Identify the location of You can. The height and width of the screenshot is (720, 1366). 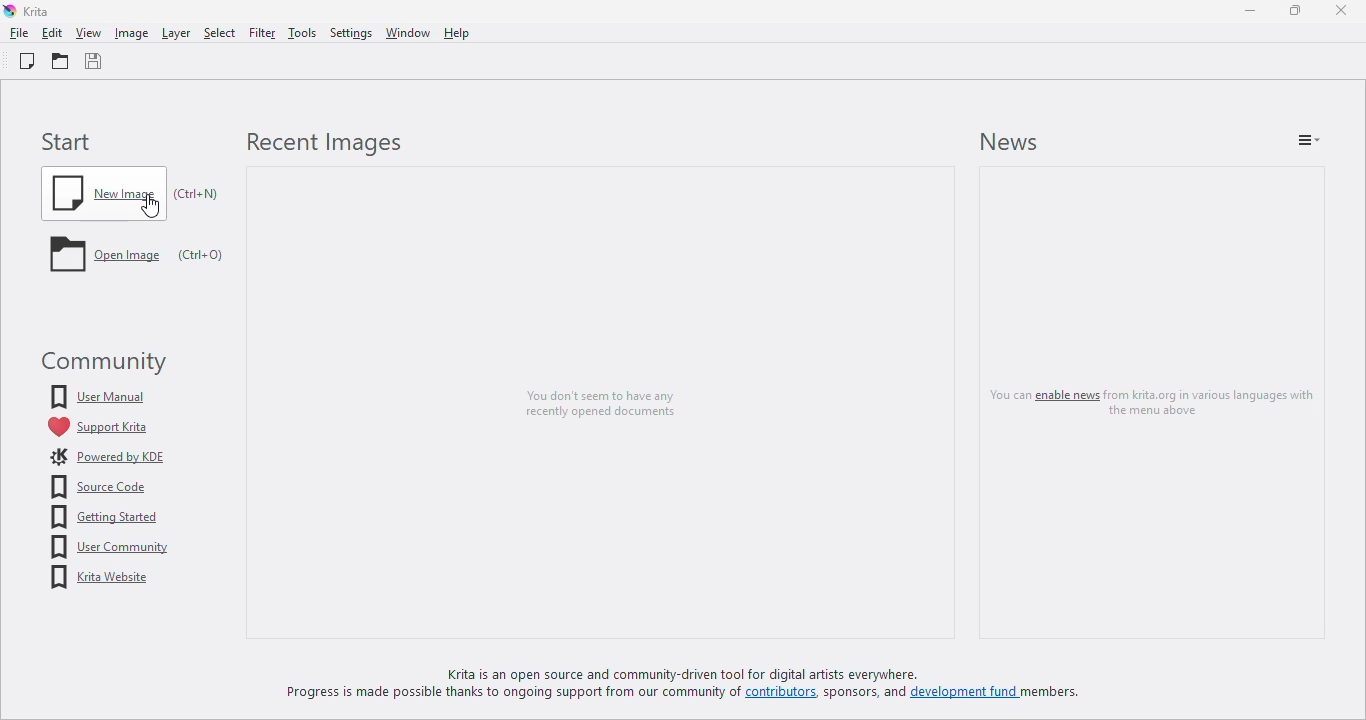
(1001, 398).